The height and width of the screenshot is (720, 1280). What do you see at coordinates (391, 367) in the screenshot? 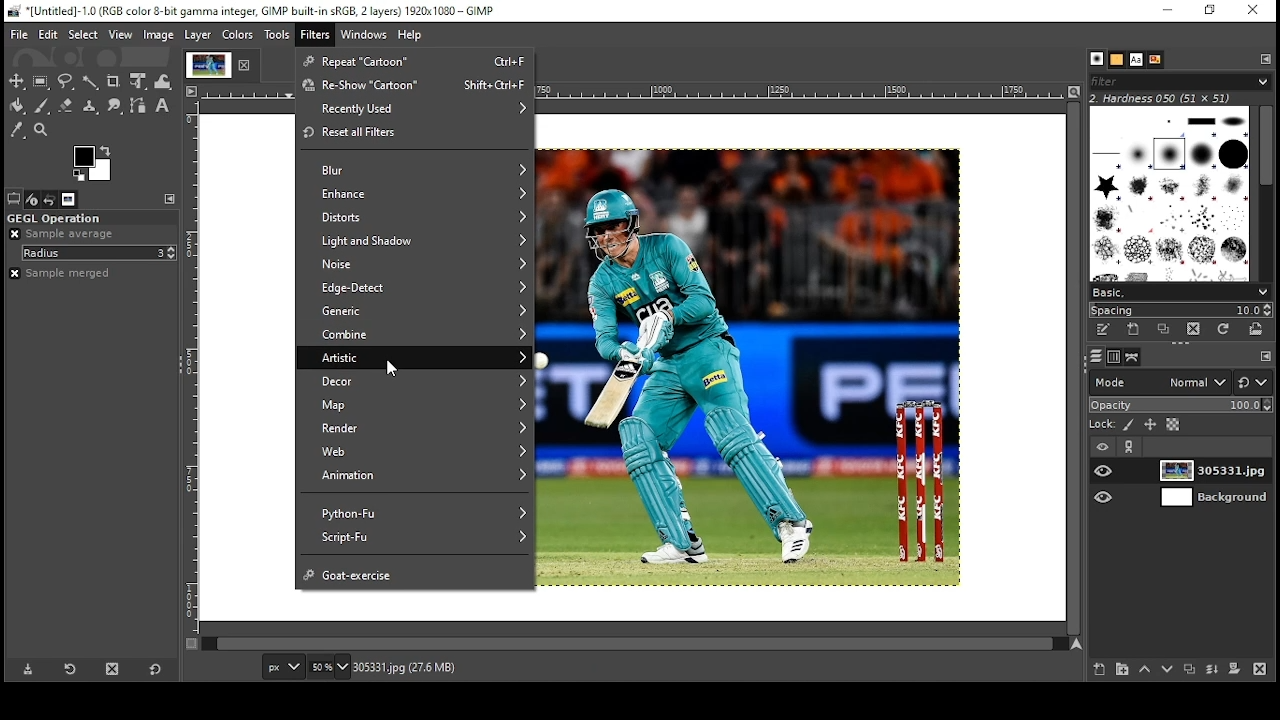
I see `mouse pointer` at bounding box center [391, 367].